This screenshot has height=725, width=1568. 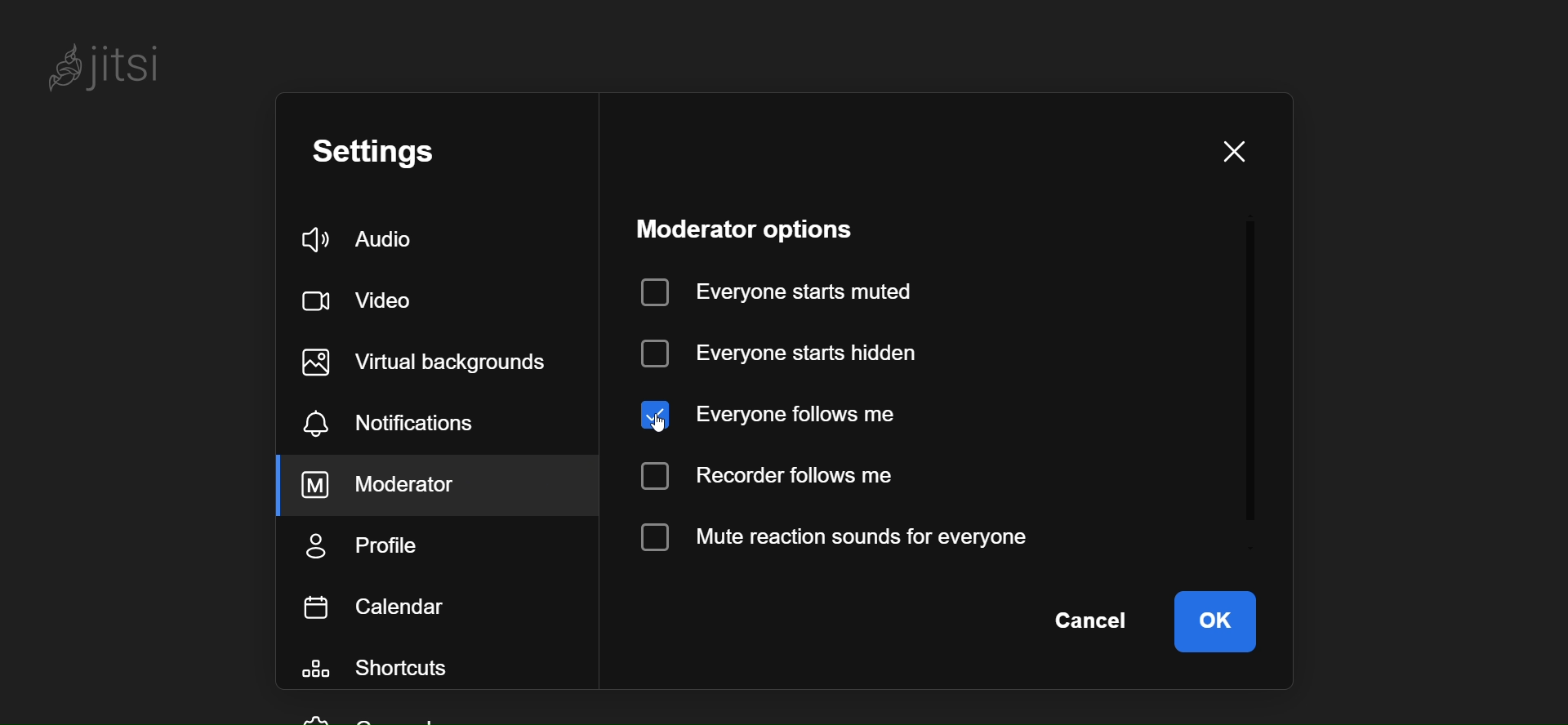 What do you see at coordinates (364, 296) in the screenshot?
I see `video` at bounding box center [364, 296].